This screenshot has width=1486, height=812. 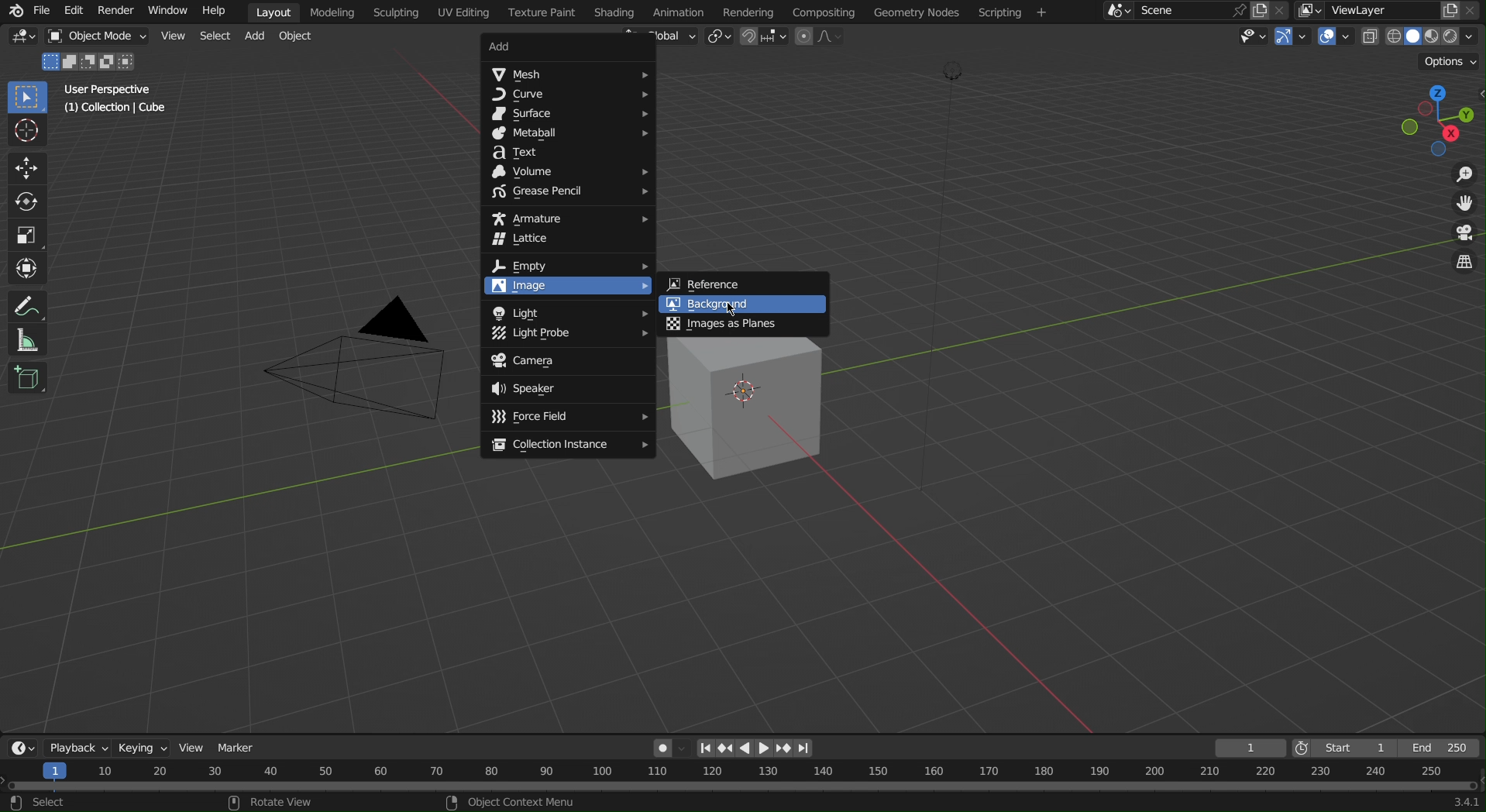 What do you see at coordinates (540, 12) in the screenshot?
I see `Texture Paint` at bounding box center [540, 12].